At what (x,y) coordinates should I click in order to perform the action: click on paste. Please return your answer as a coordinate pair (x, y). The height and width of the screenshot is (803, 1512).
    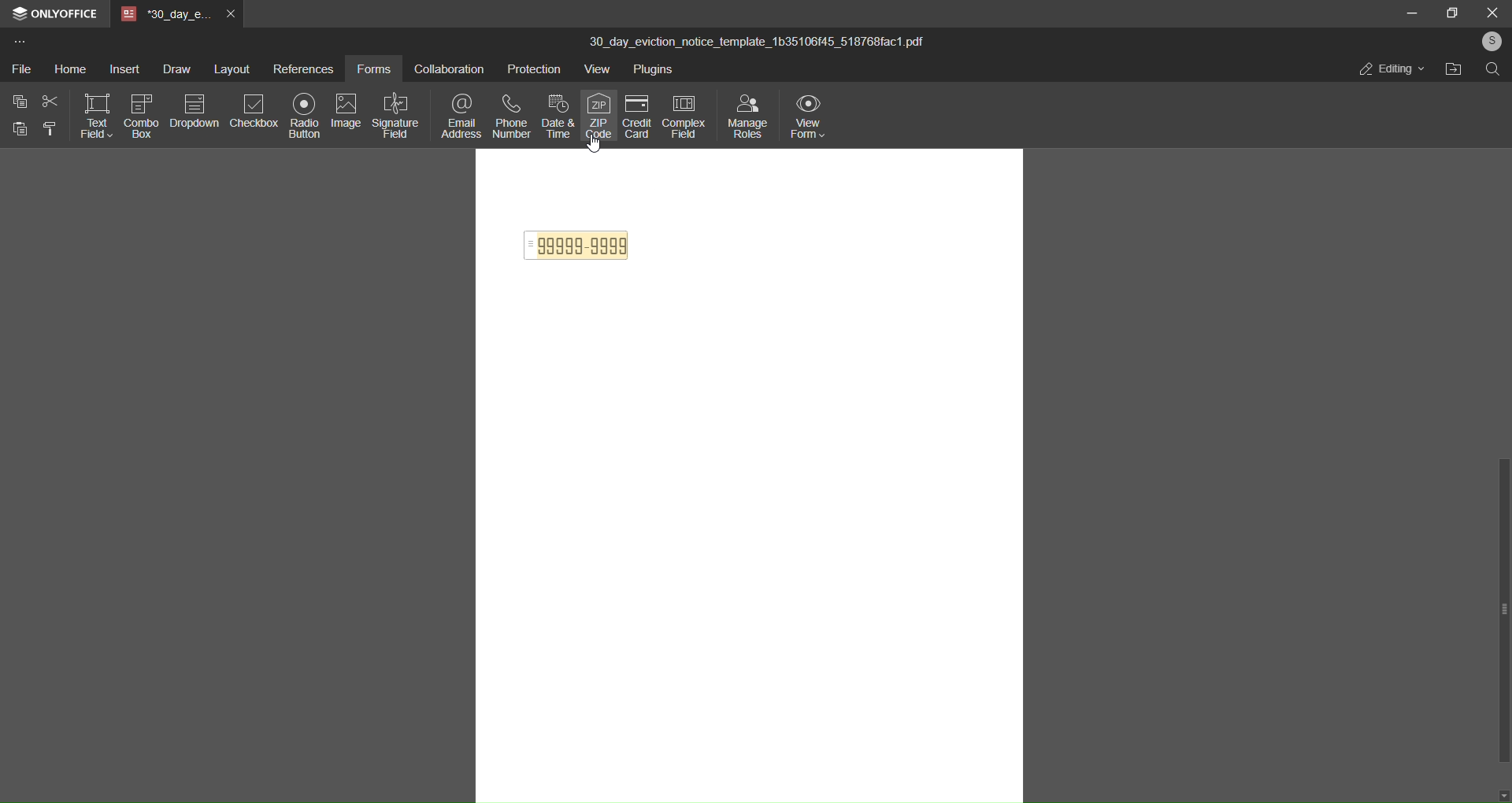
    Looking at the image, I should click on (18, 128).